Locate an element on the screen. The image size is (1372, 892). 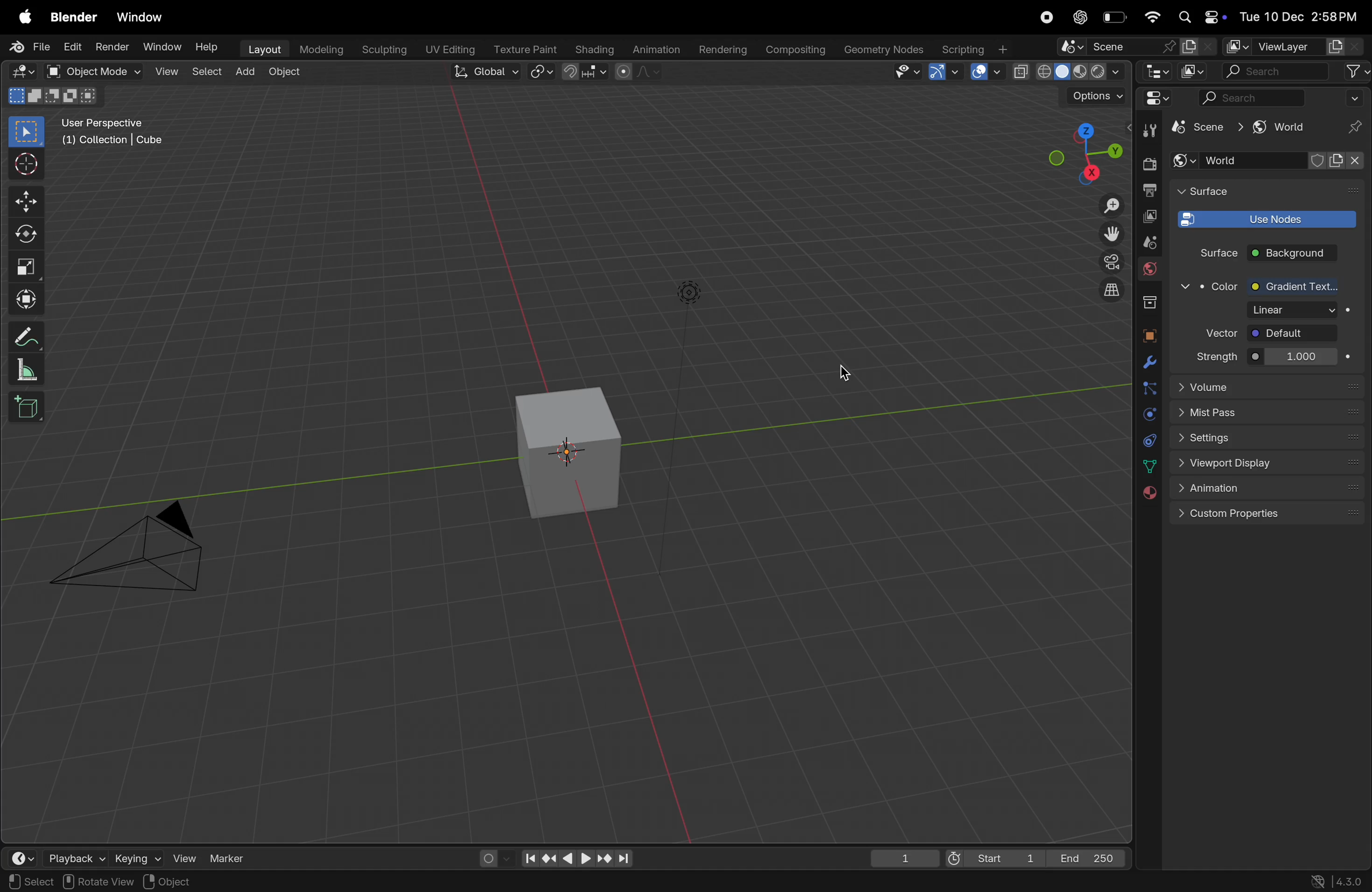
use nodes is located at coordinates (1264, 218).